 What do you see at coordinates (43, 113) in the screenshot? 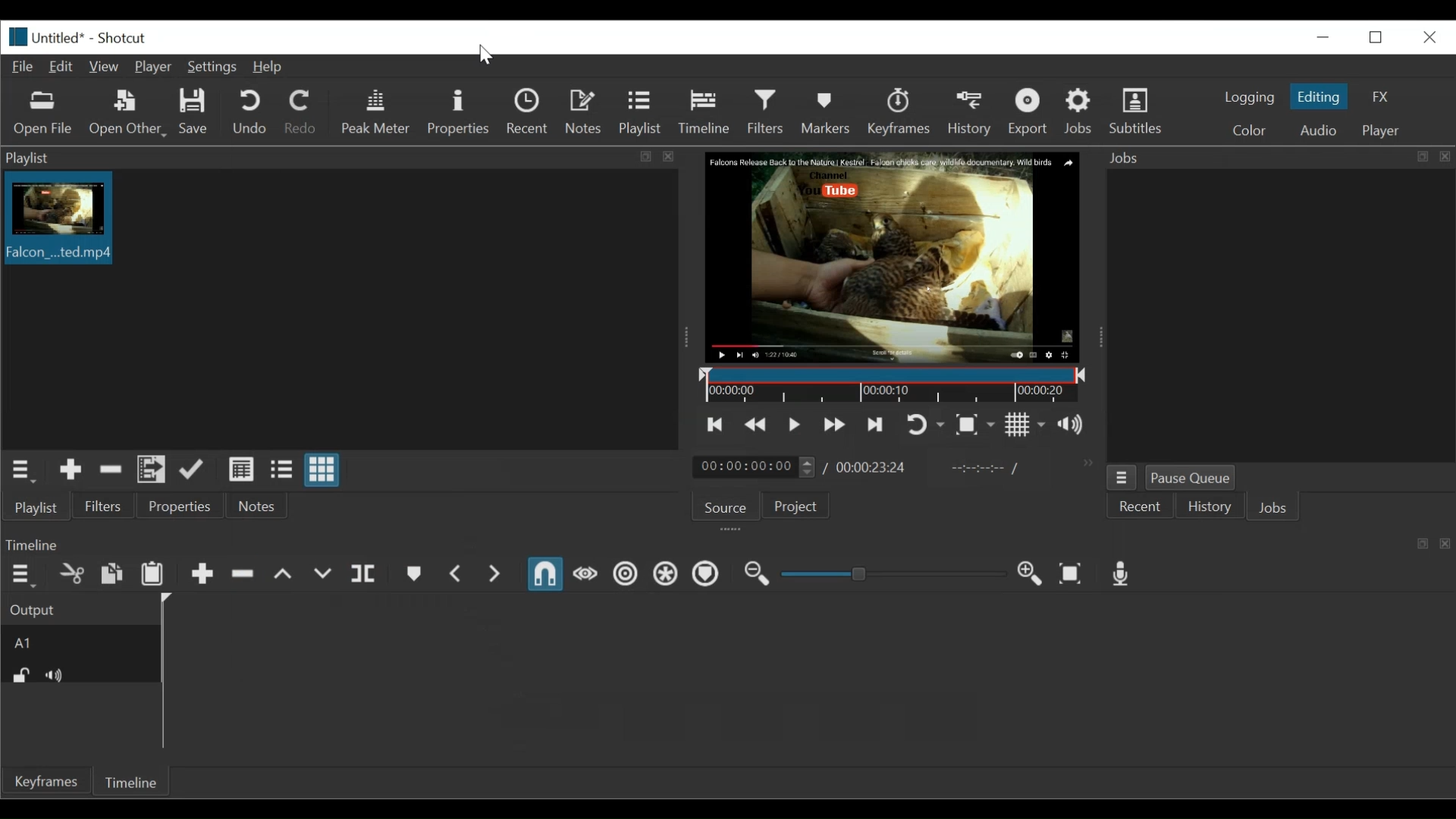
I see `Open file` at bounding box center [43, 113].